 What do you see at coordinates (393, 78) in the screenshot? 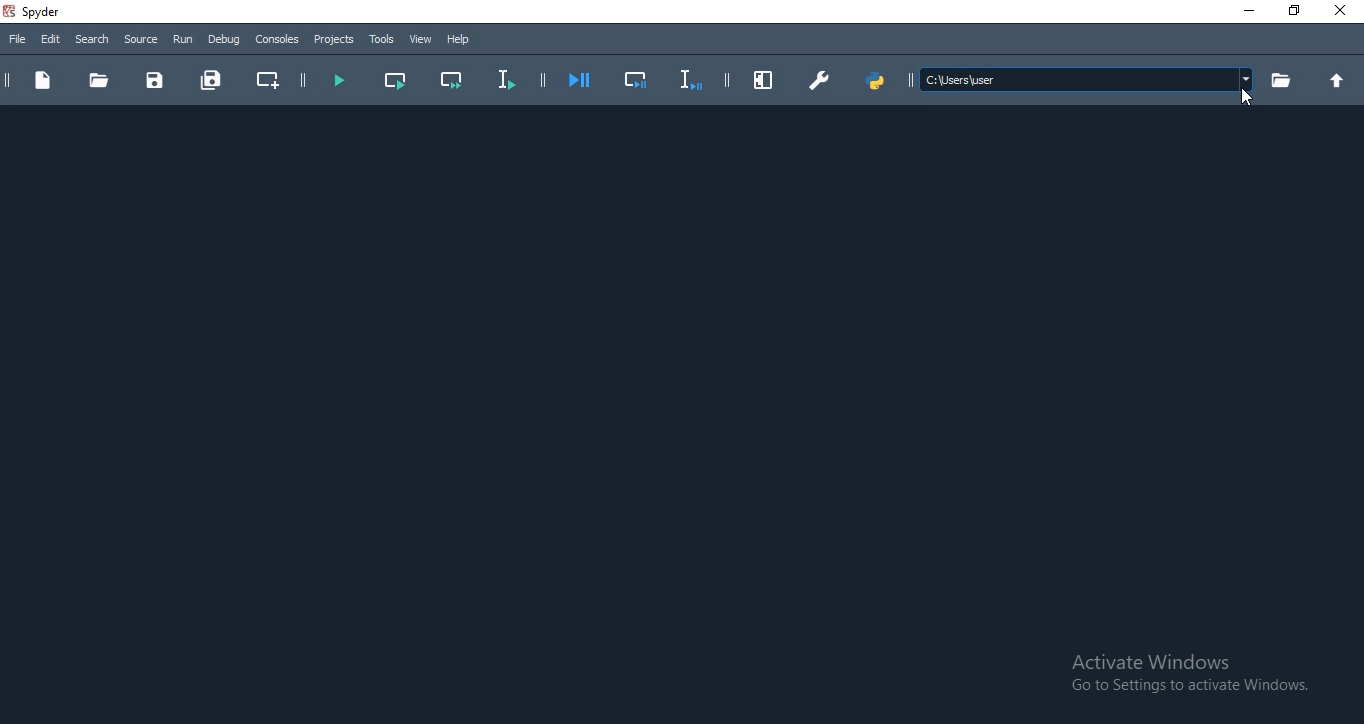
I see `run current cell` at bounding box center [393, 78].